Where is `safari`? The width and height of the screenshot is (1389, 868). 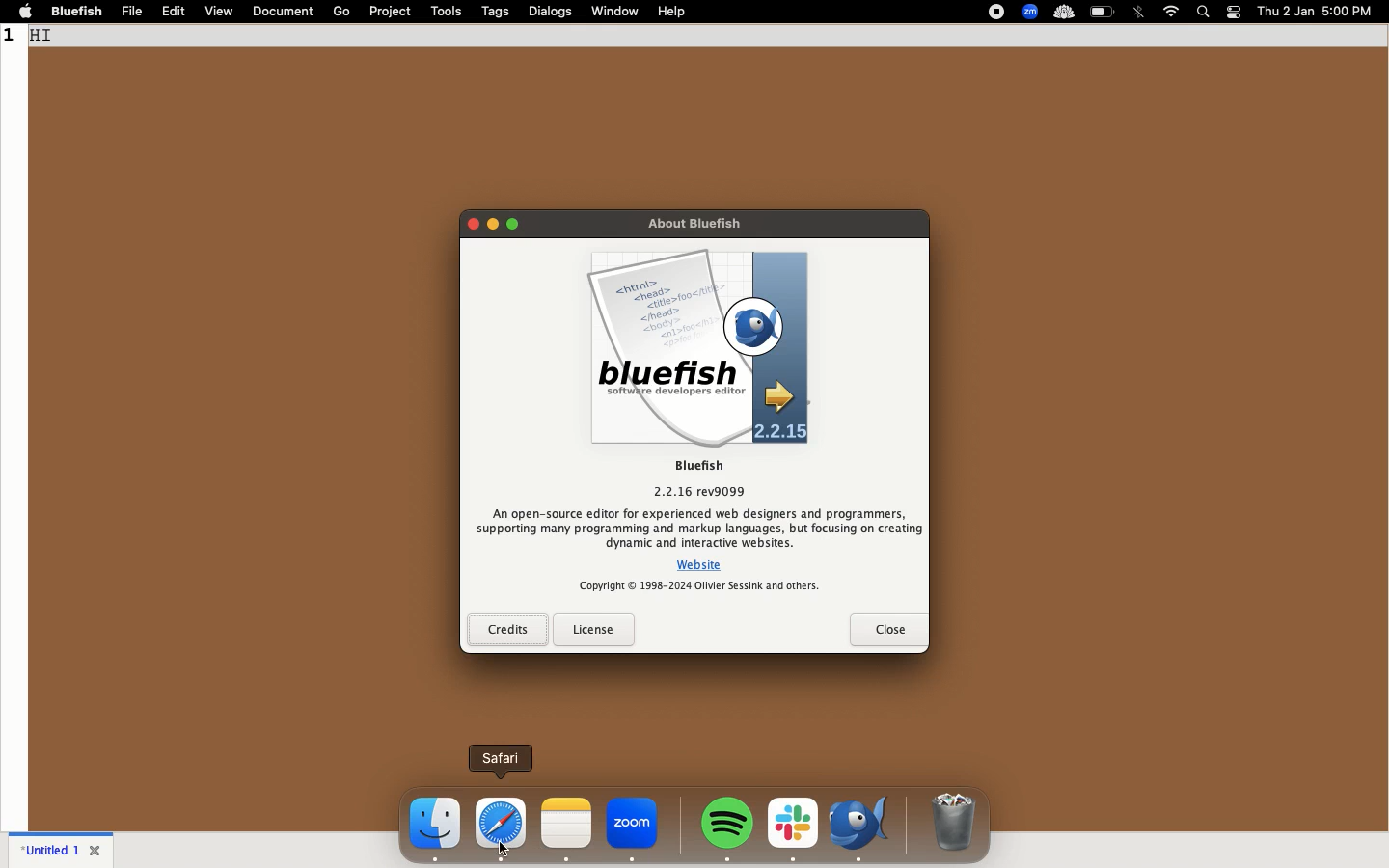
safari is located at coordinates (503, 753).